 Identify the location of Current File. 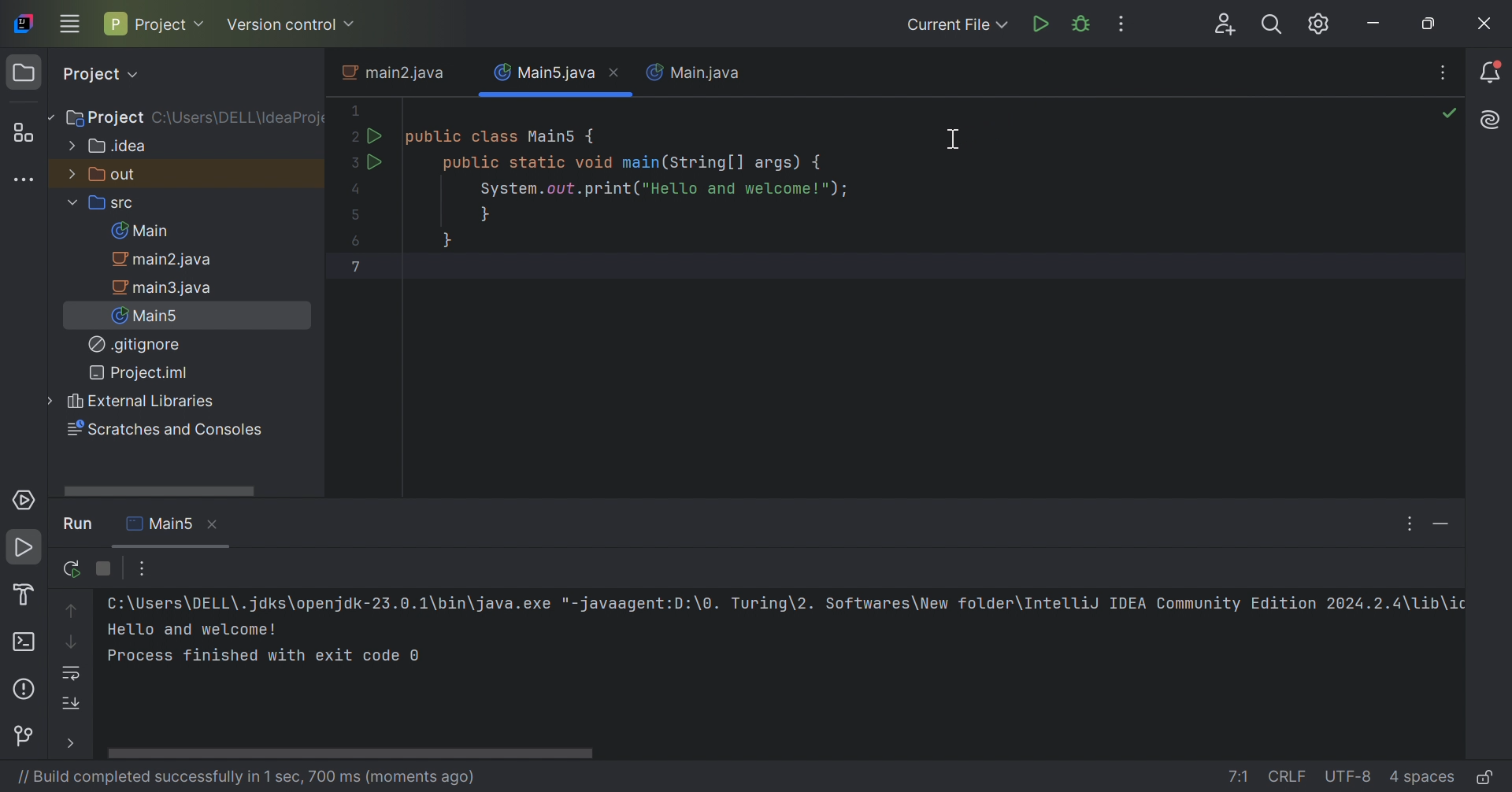
(954, 24).